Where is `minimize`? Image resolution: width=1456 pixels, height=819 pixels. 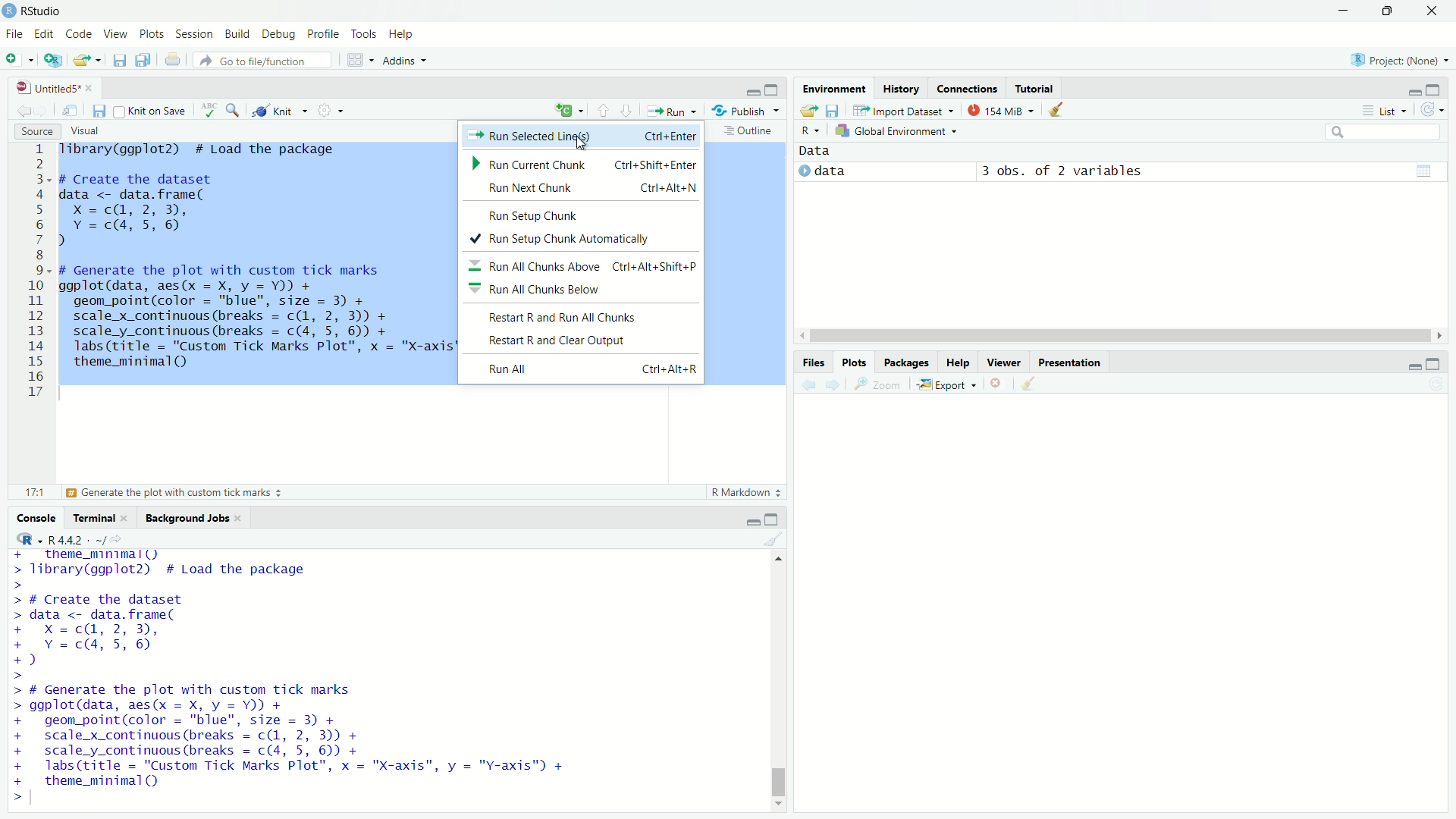
minimize is located at coordinates (744, 518).